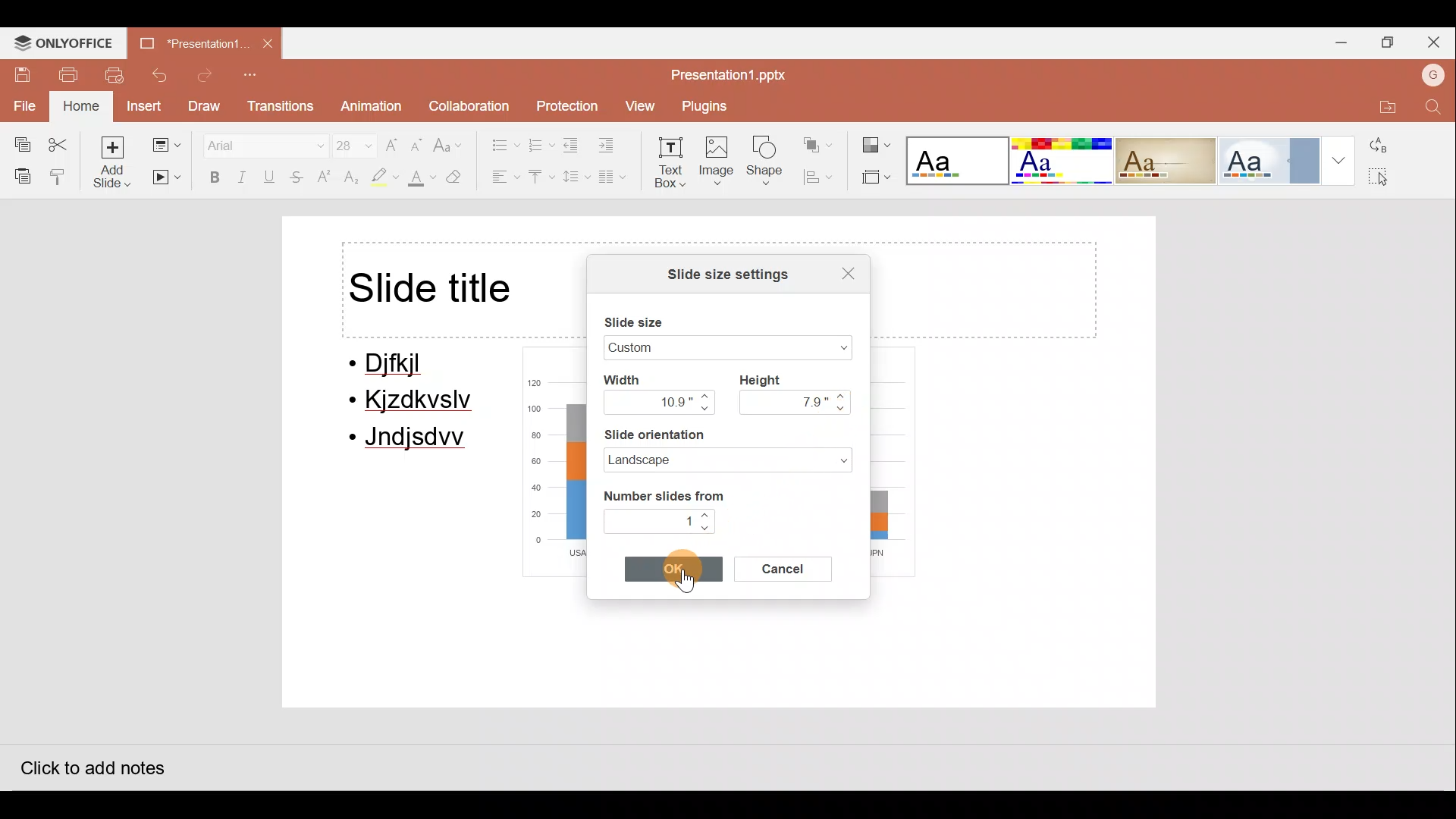 This screenshot has height=819, width=1456. What do you see at coordinates (113, 162) in the screenshot?
I see `Add slide` at bounding box center [113, 162].